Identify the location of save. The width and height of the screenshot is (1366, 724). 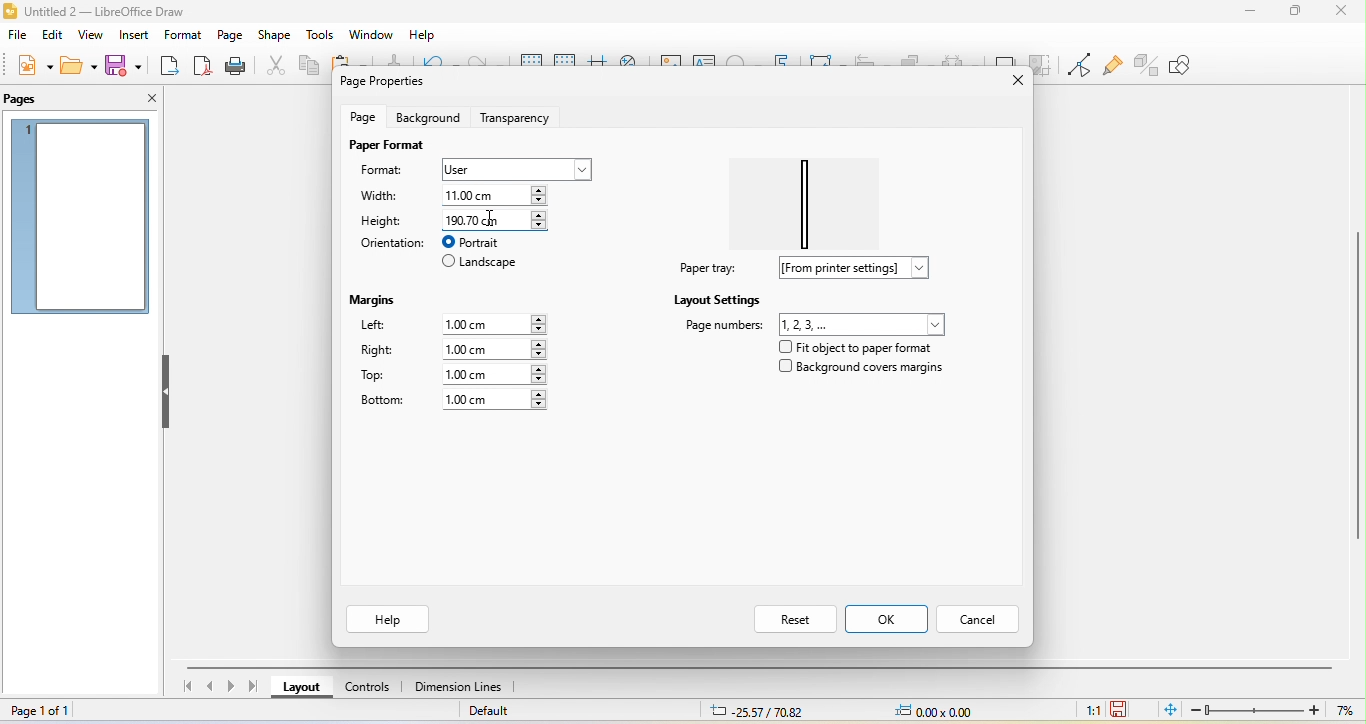
(127, 64).